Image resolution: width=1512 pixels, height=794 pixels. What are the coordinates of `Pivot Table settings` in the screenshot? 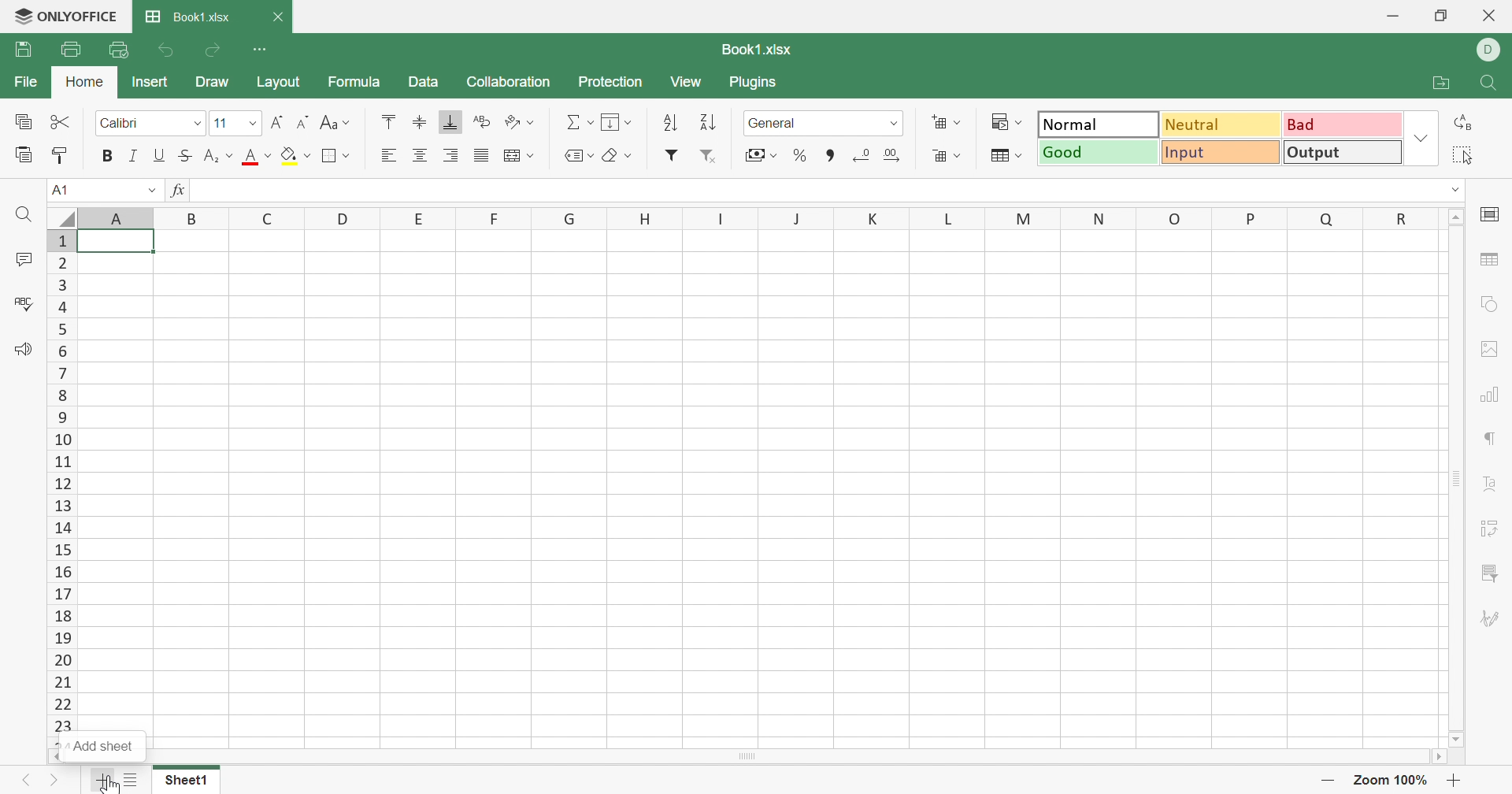 It's located at (1487, 530).